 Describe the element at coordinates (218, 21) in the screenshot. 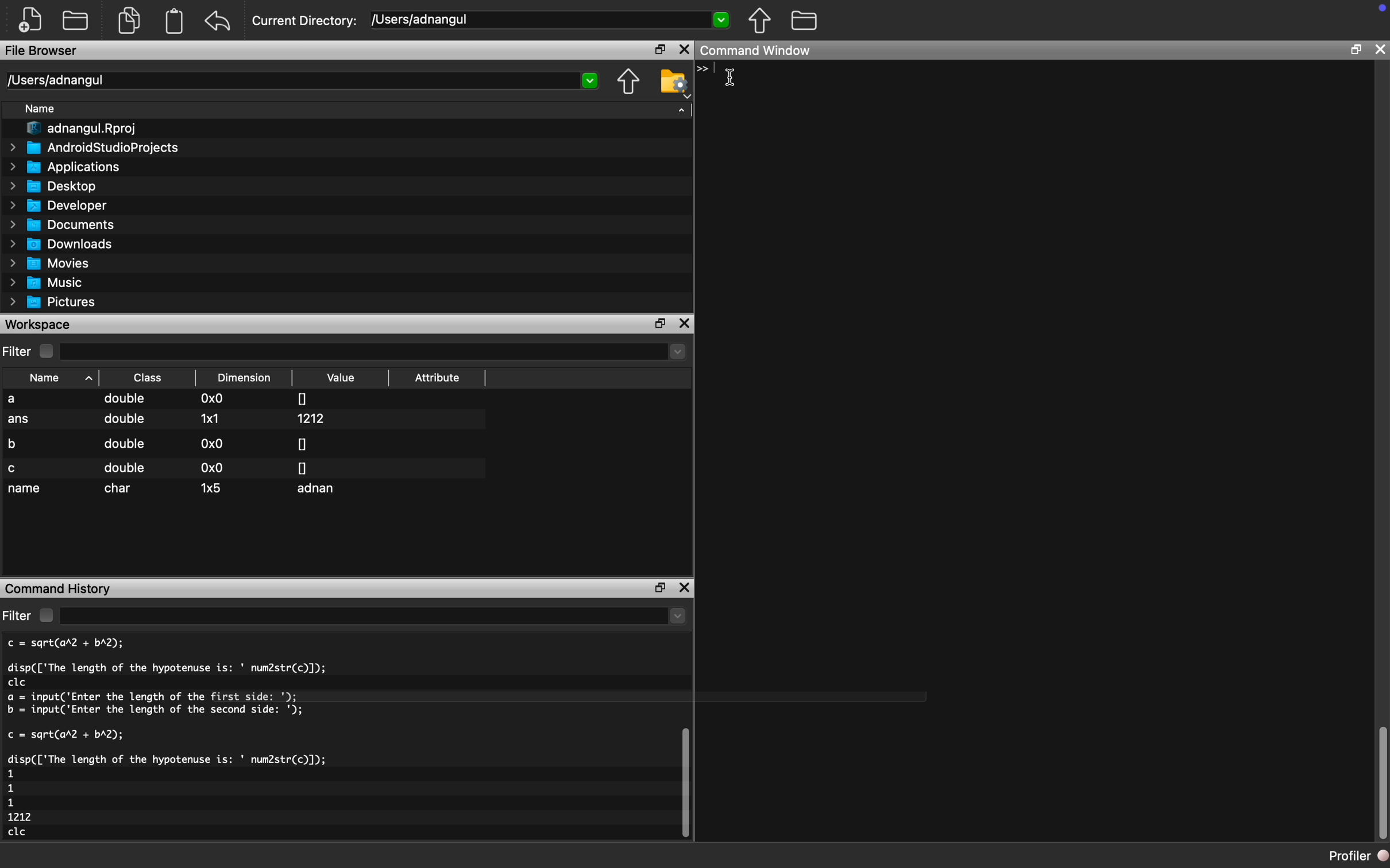

I see `undo` at that location.